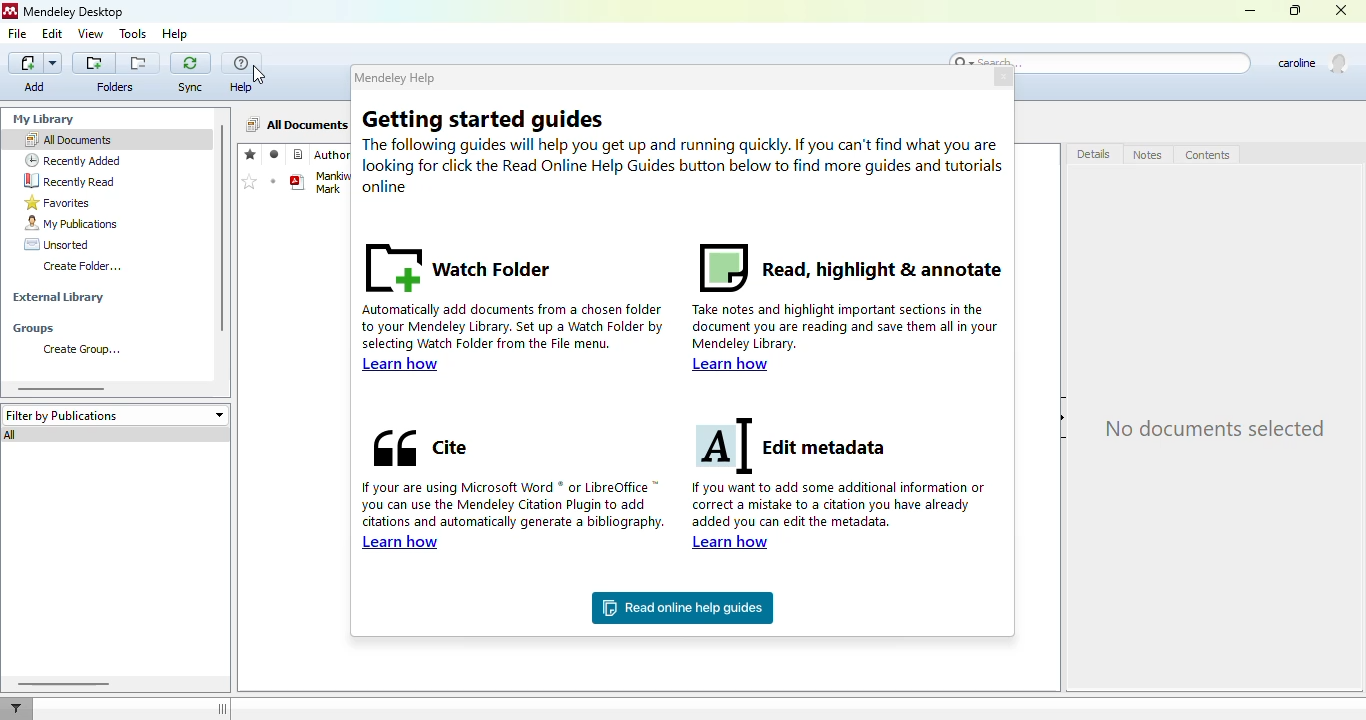 The width and height of the screenshot is (1366, 720). What do you see at coordinates (17, 33) in the screenshot?
I see `file` at bounding box center [17, 33].